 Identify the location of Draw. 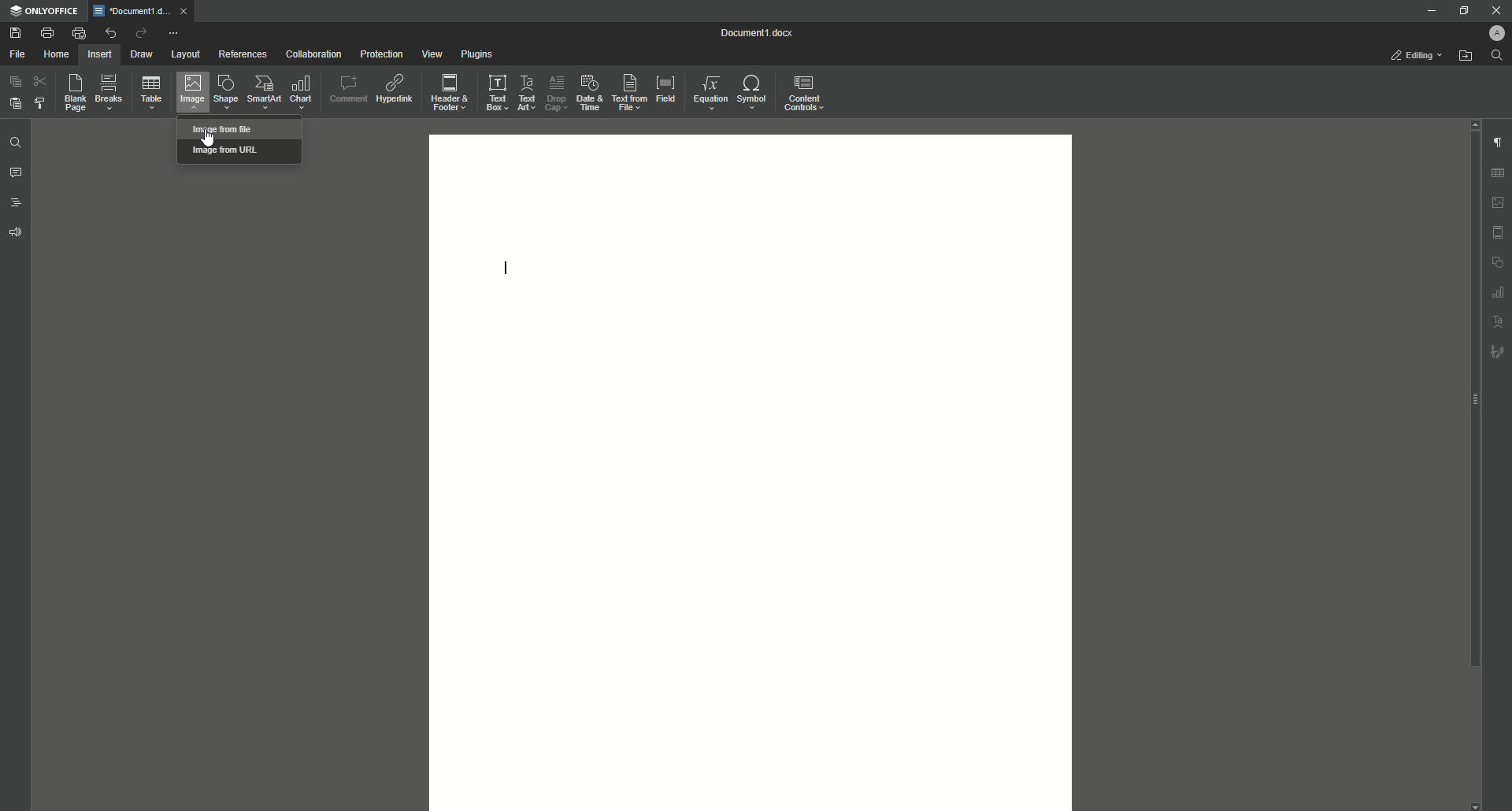
(143, 55).